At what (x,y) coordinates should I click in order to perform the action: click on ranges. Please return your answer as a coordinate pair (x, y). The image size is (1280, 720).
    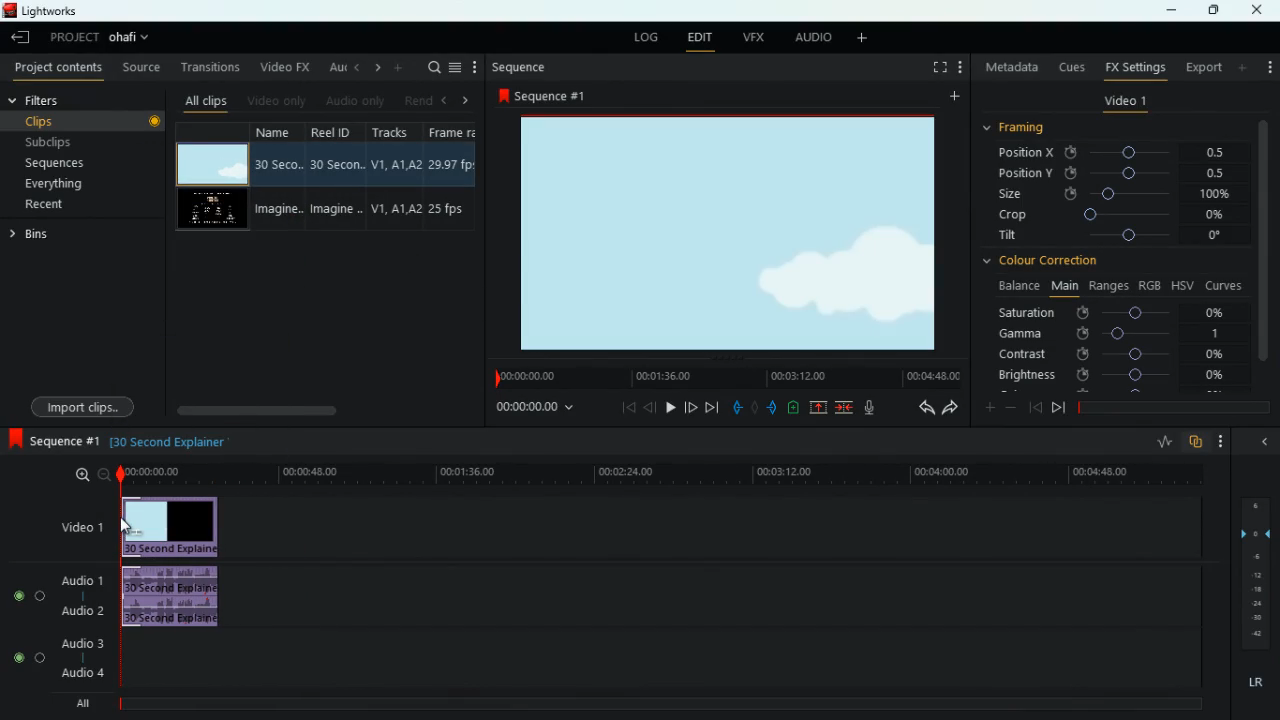
    Looking at the image, I should click on (1109, 287).